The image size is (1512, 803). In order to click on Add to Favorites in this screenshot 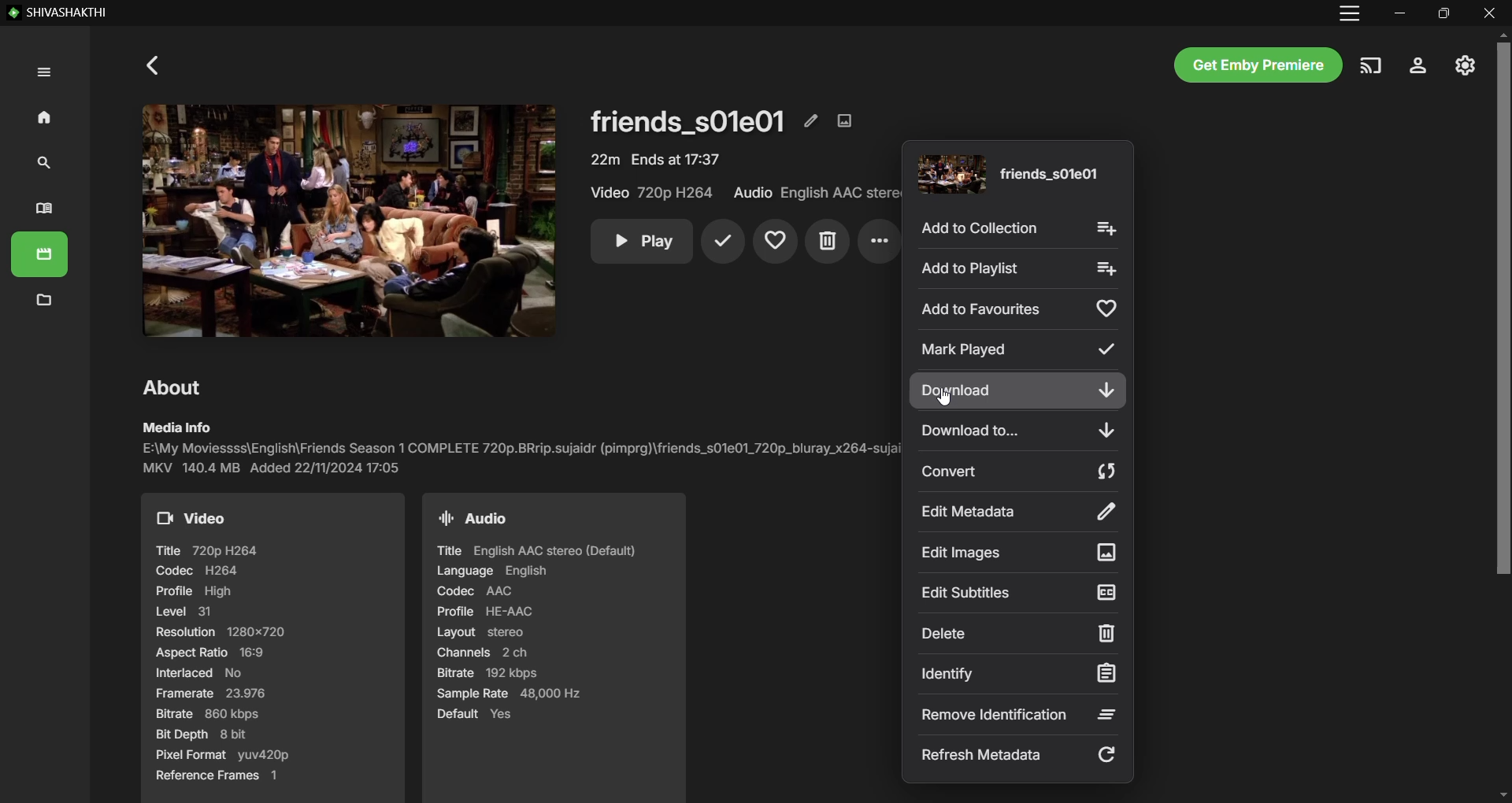, I will do `click(1017, 309)`.